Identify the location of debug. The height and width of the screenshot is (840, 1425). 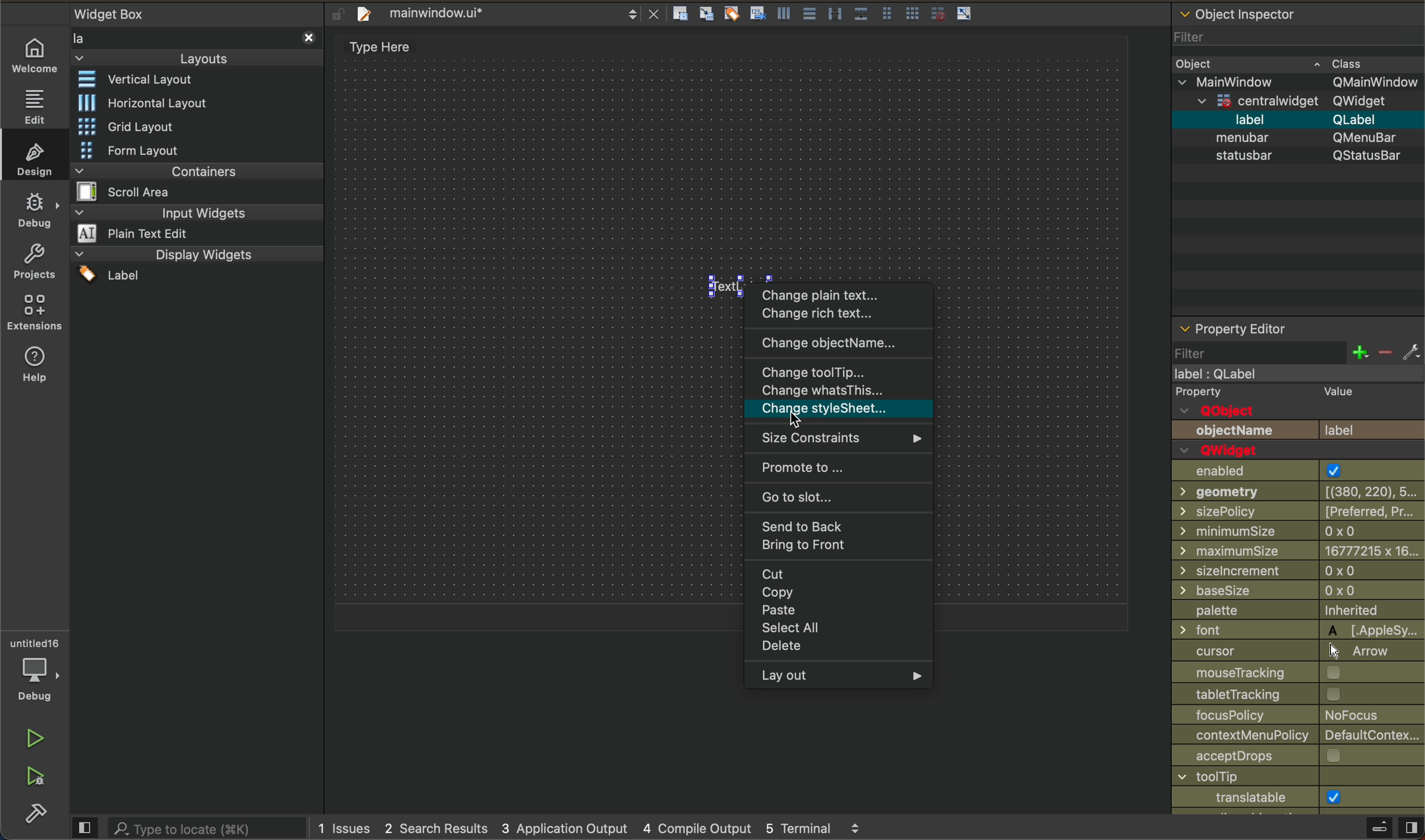
(37, 211).